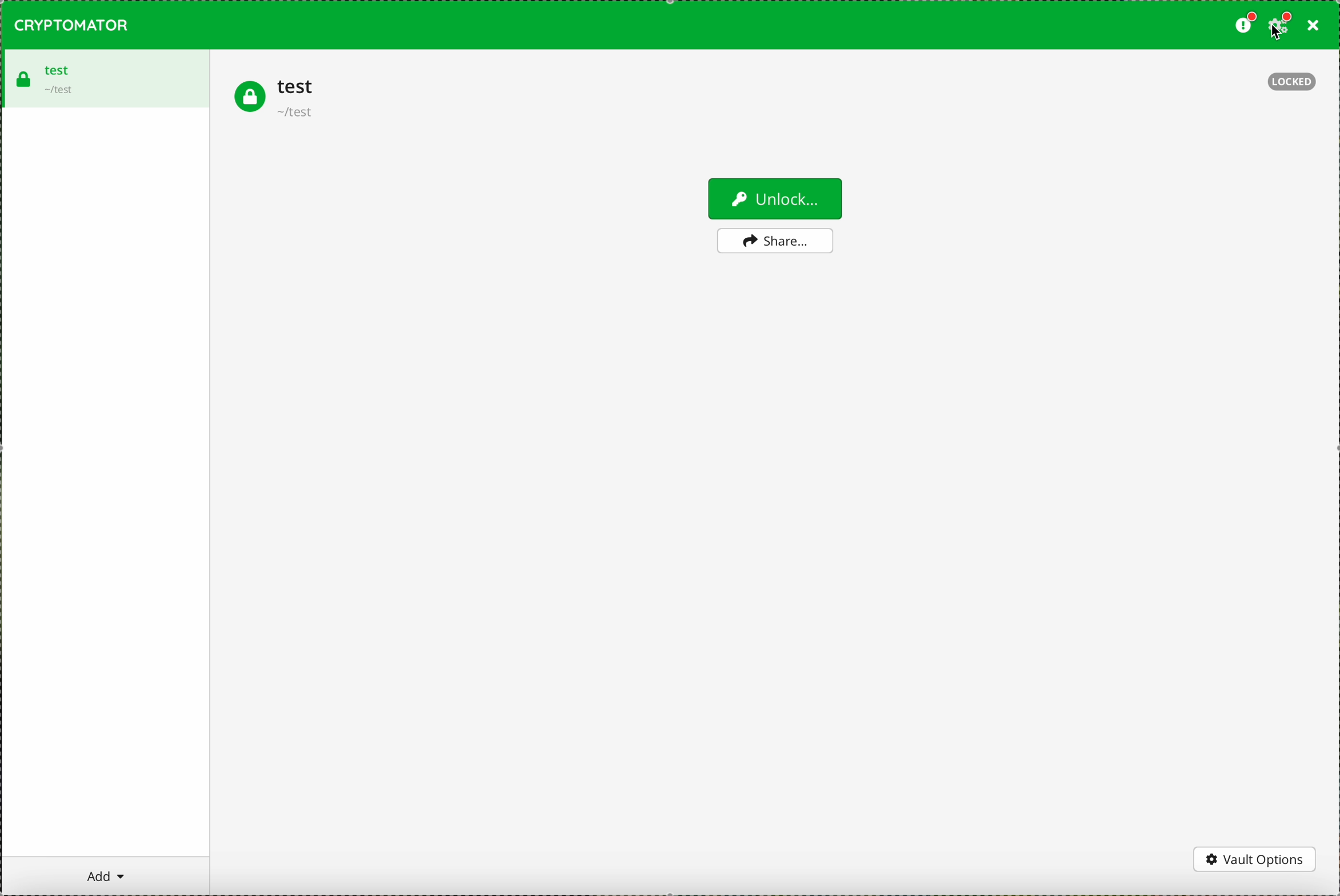 Image resolution: width=1340 pixels, height=896 pixels. Describe the element at coordinates (1311, 27) in the screenshot. I see `close program` at that location.